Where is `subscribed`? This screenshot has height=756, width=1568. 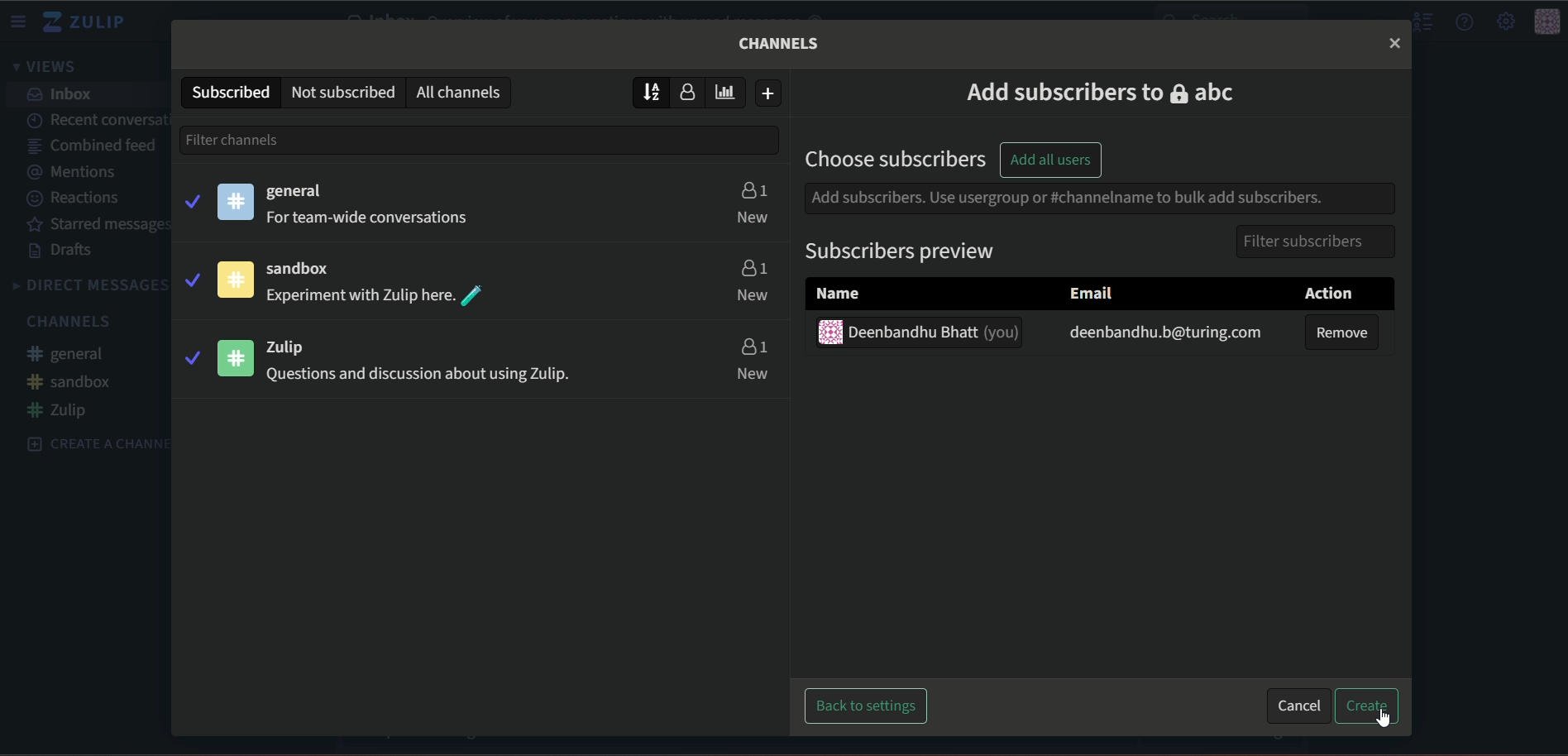 subscribed is located at coordinates (229, 91).